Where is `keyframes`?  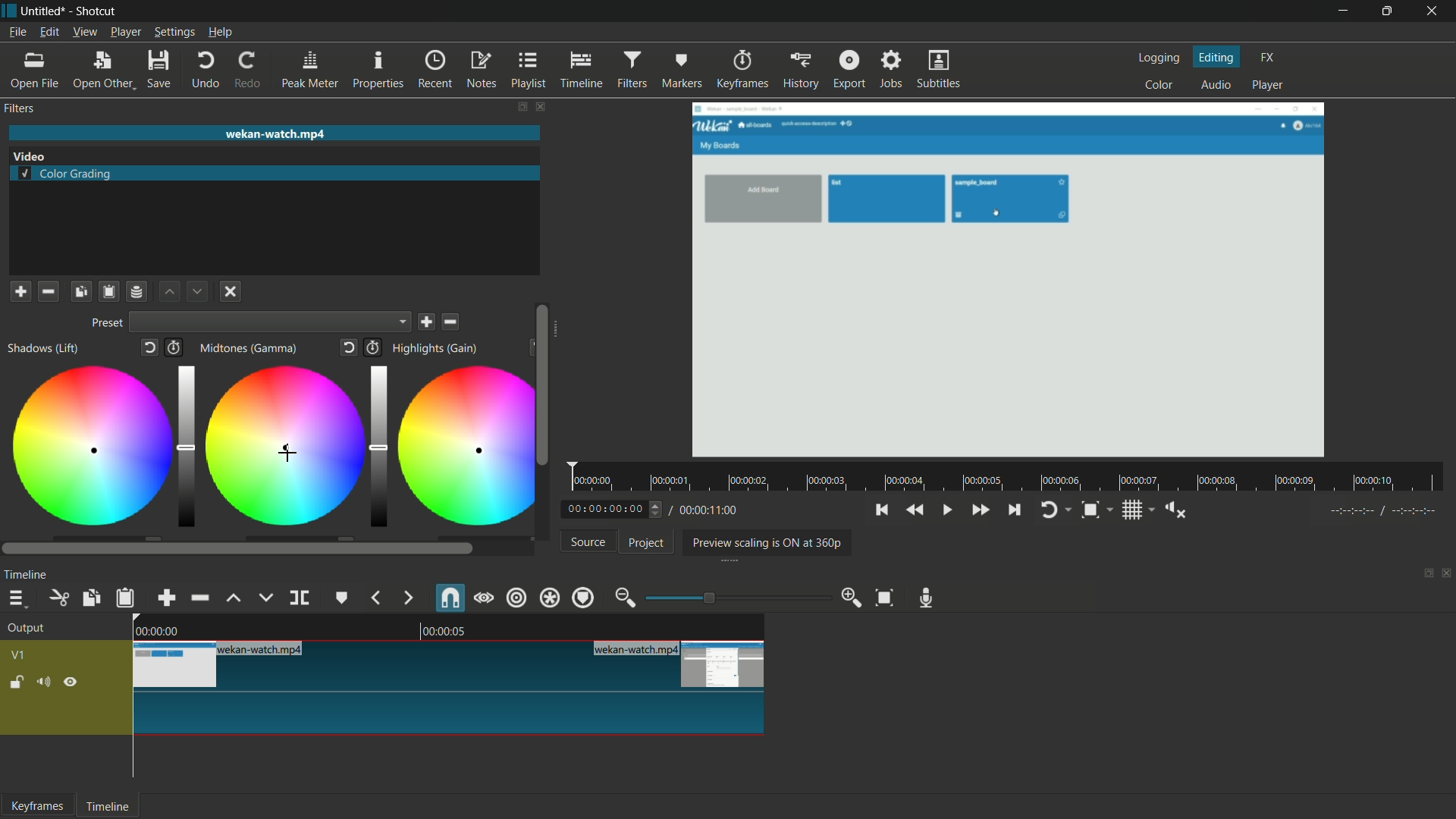 keyframes is located at coordinates (740, 70).